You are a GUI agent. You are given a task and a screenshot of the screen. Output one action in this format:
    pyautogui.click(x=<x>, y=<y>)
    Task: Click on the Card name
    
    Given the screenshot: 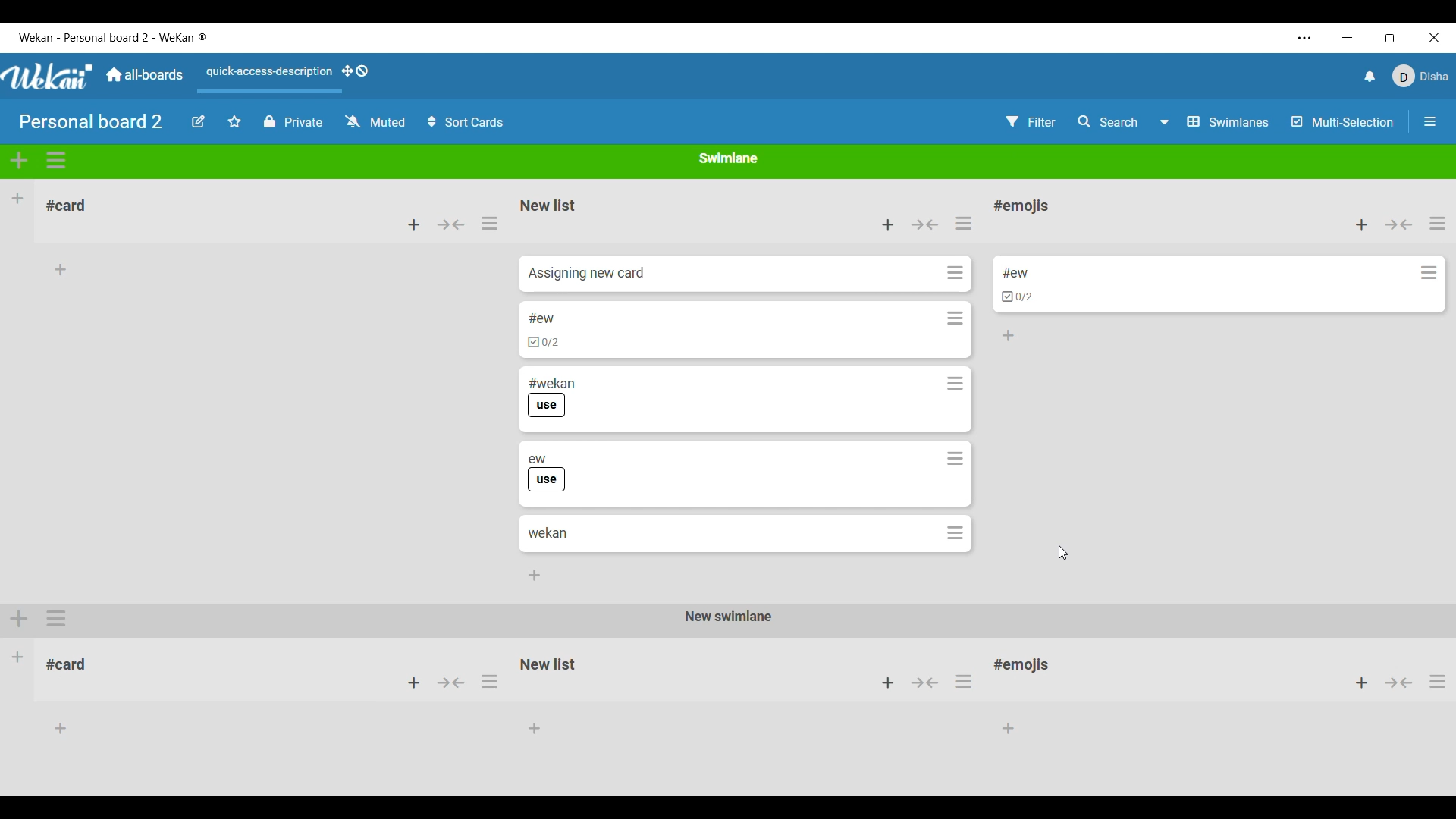 What is the action you would take?
    pyautogui.click(x=67, y=272)
    